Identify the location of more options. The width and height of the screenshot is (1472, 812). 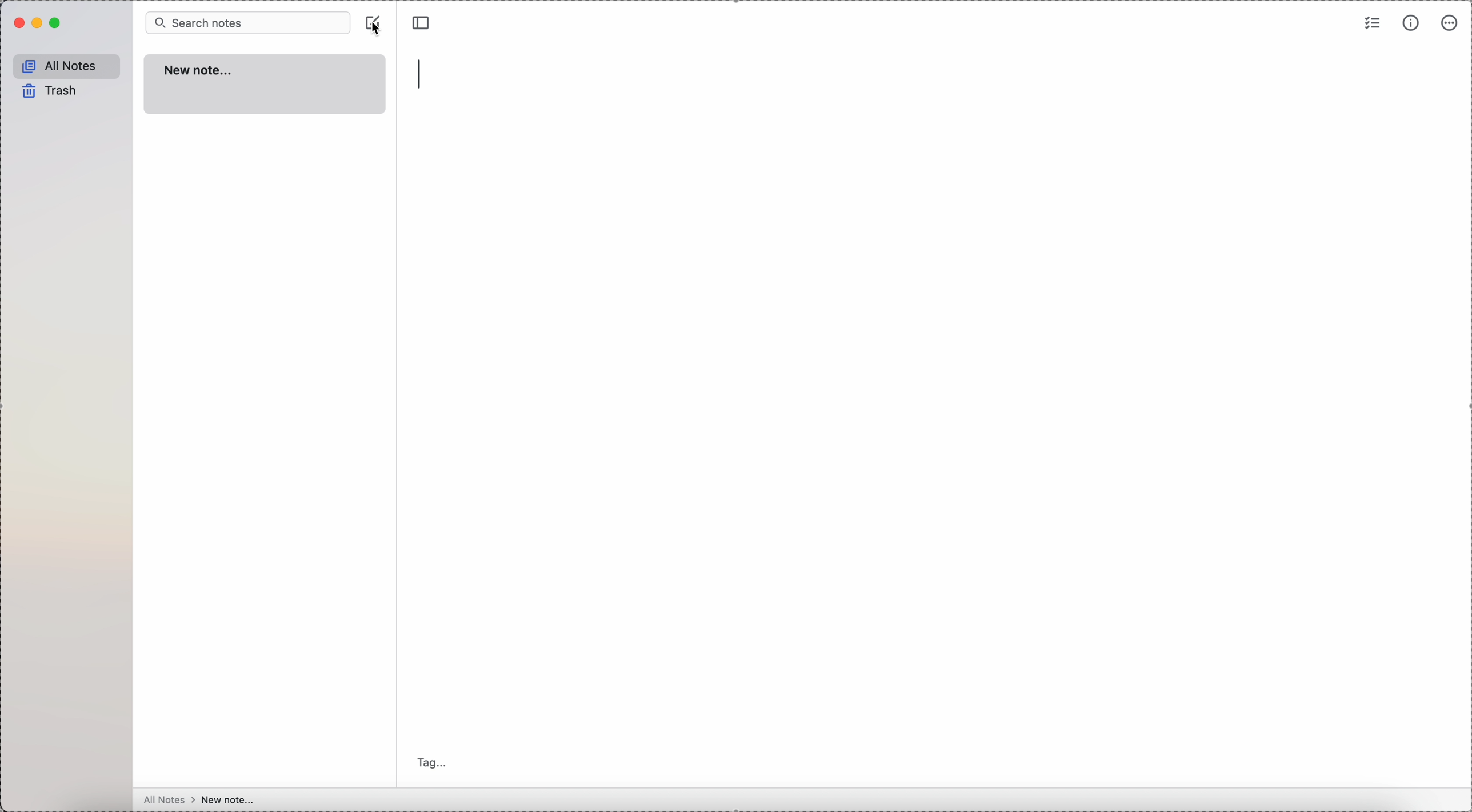
(1451, 22).